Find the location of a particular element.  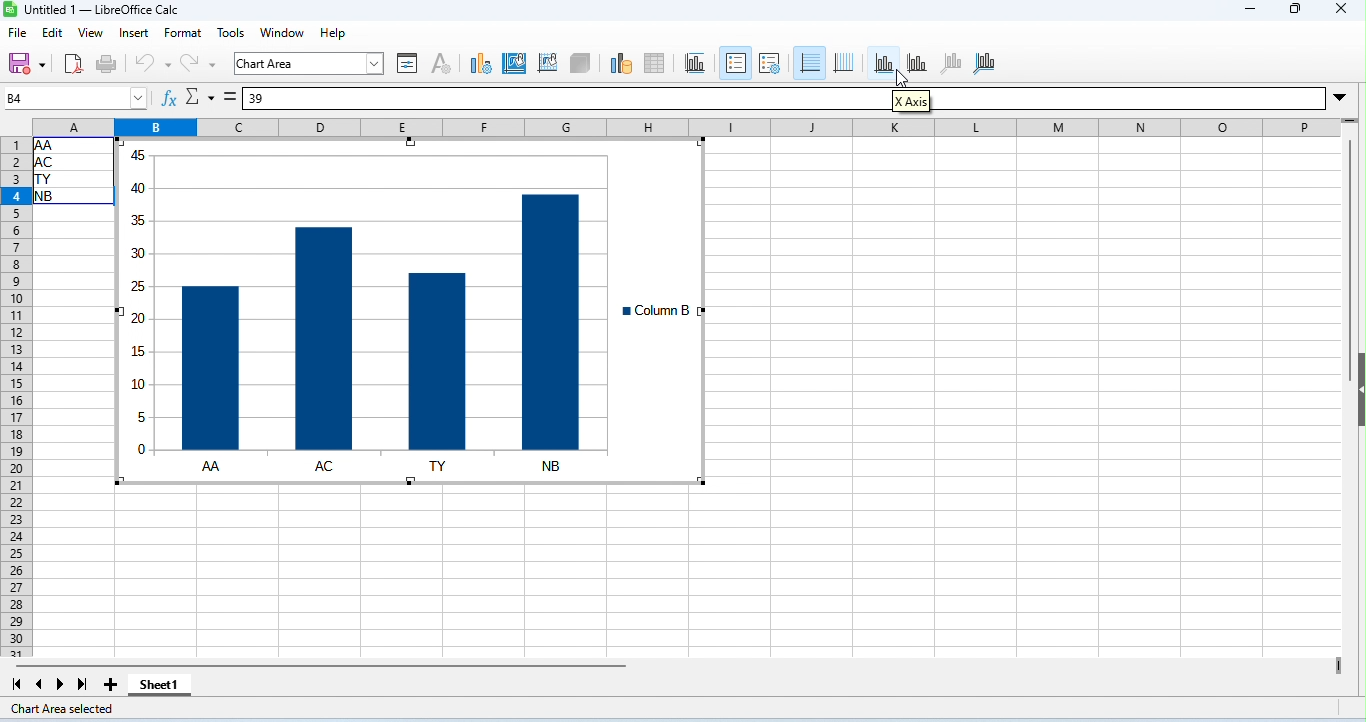

legends on/ off is located at coordinates (737, 64).